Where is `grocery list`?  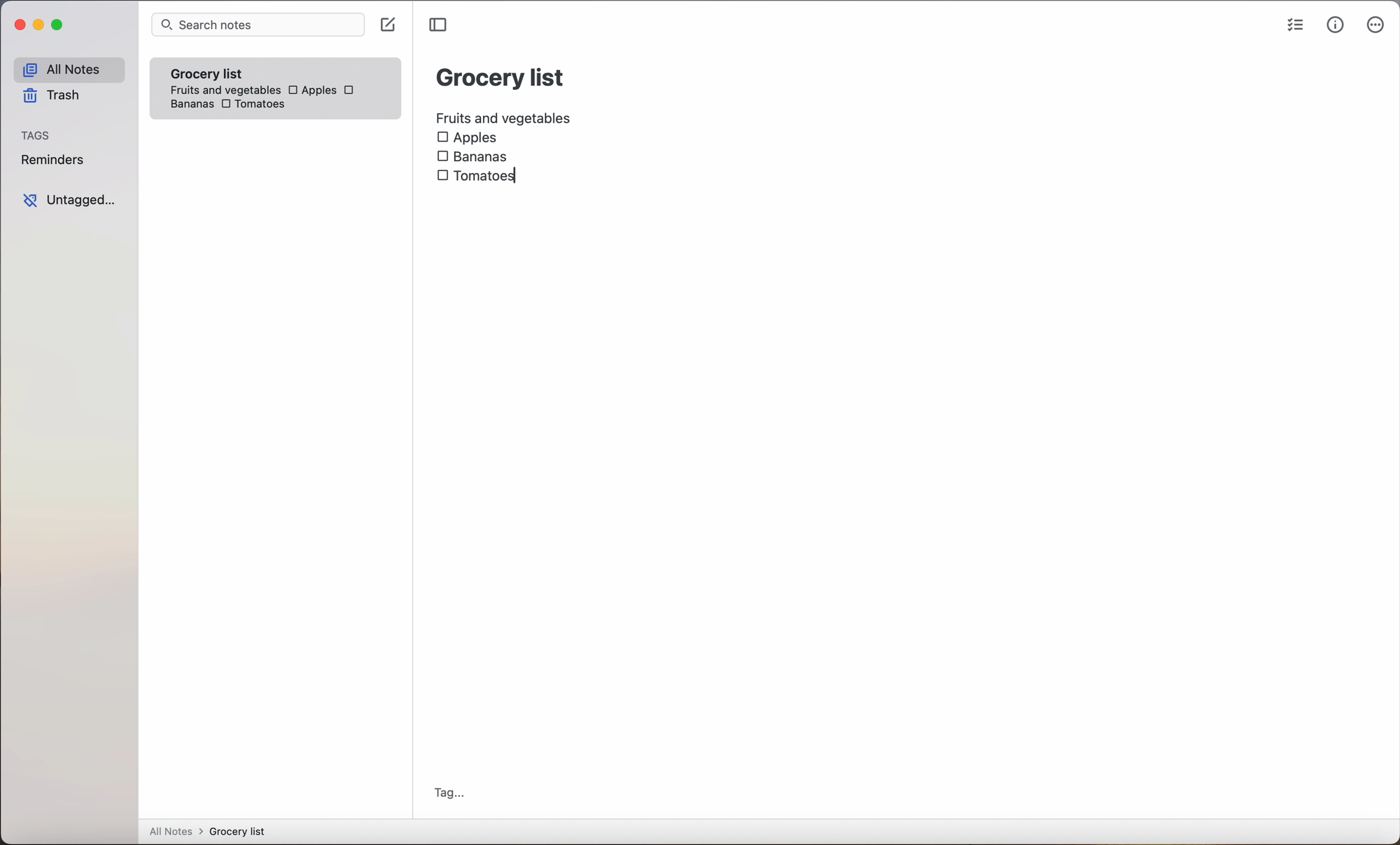 grocery list is located at coordinates (501, 76).